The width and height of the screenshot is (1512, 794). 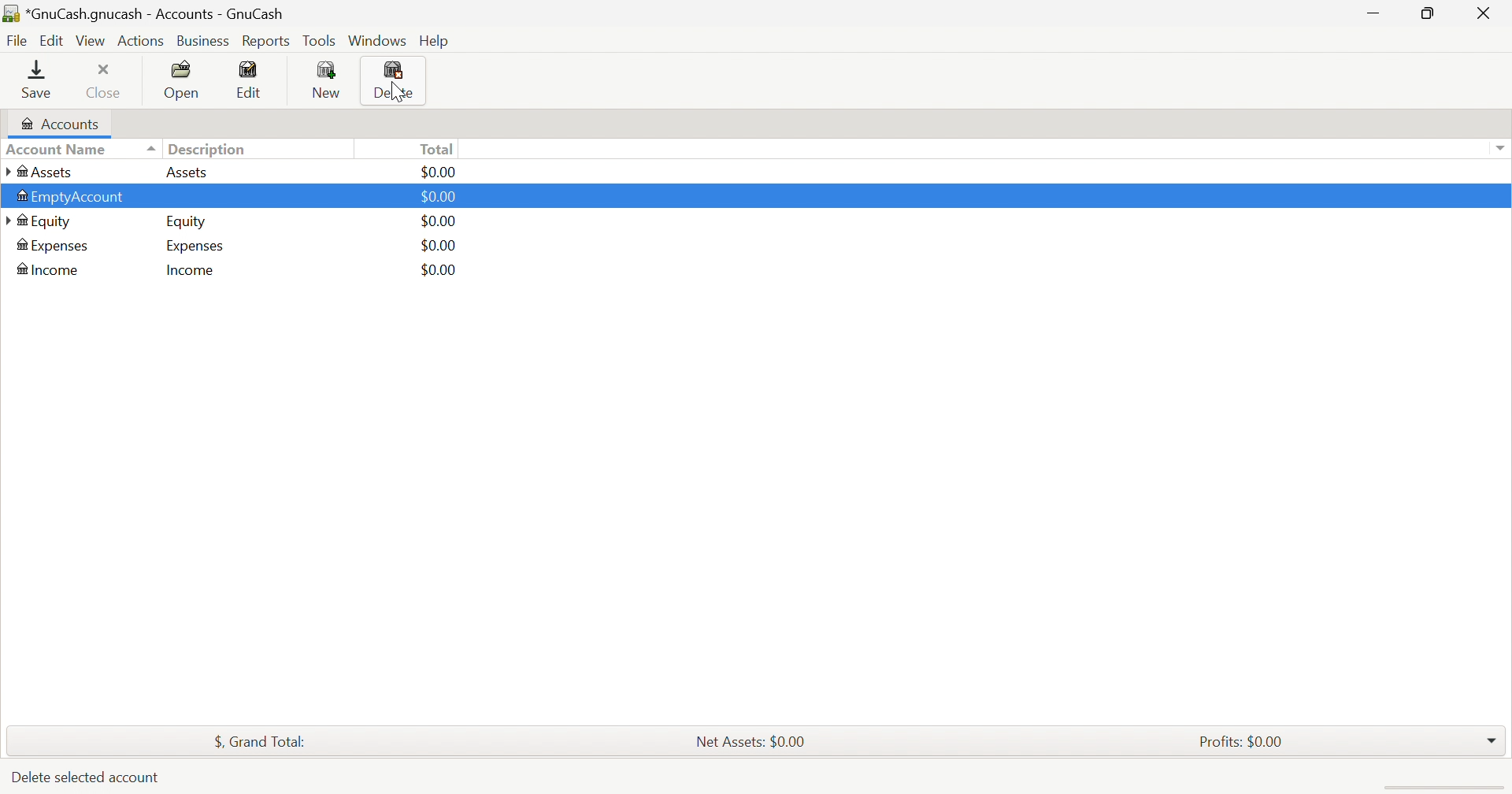 What do you see at coordinates (59, 123) in the screenshot?
I see `Accounts` at bounding box center [59, 123].